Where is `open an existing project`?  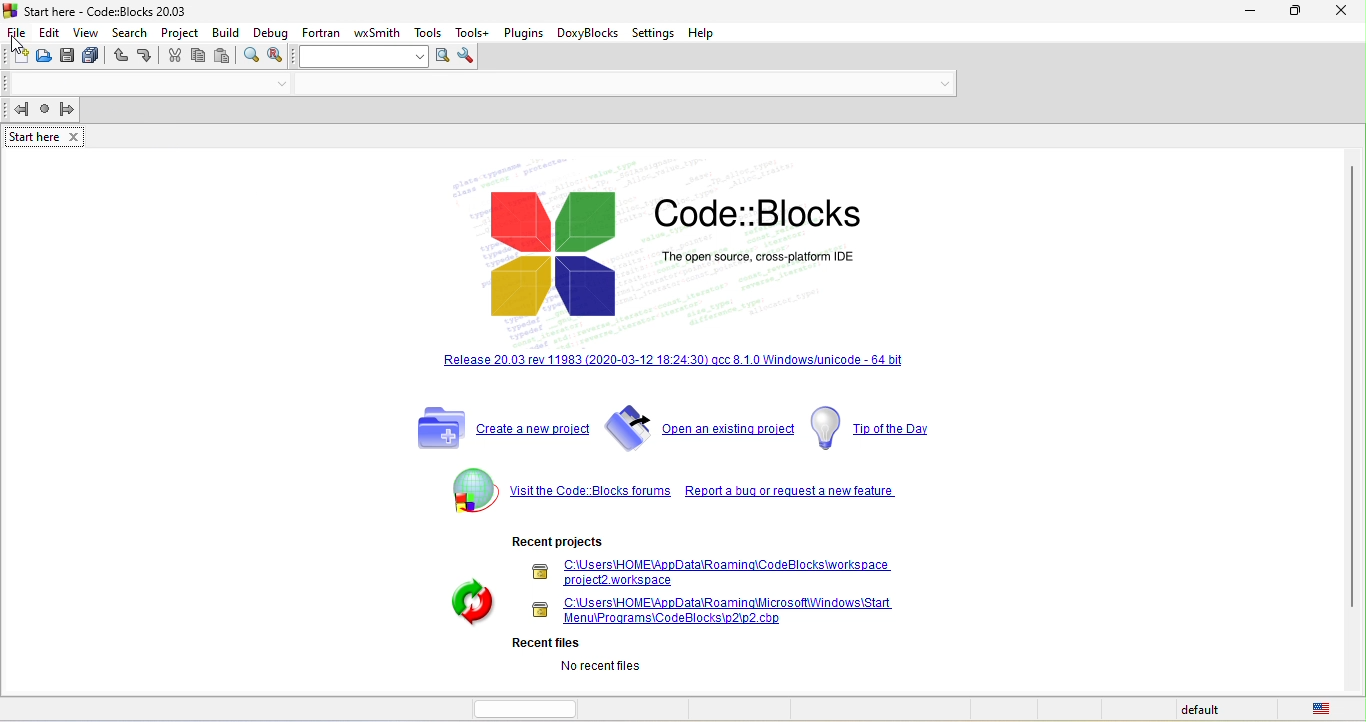 open an existing project is located at coordinates (699, 427).